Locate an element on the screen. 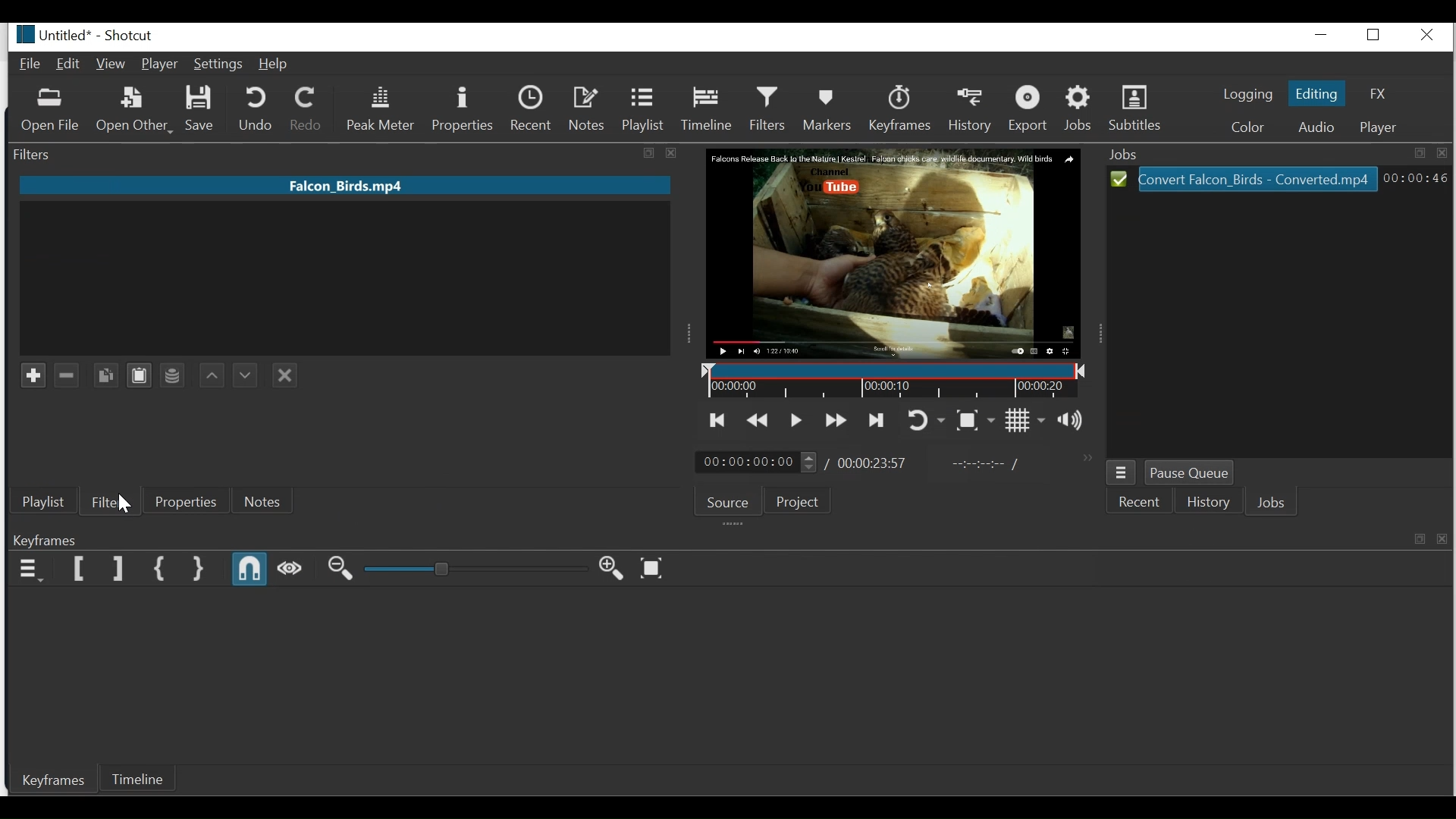 The width and height of the screenshot is (1456, 819). Keyframes is located at coordinates (47, 780).